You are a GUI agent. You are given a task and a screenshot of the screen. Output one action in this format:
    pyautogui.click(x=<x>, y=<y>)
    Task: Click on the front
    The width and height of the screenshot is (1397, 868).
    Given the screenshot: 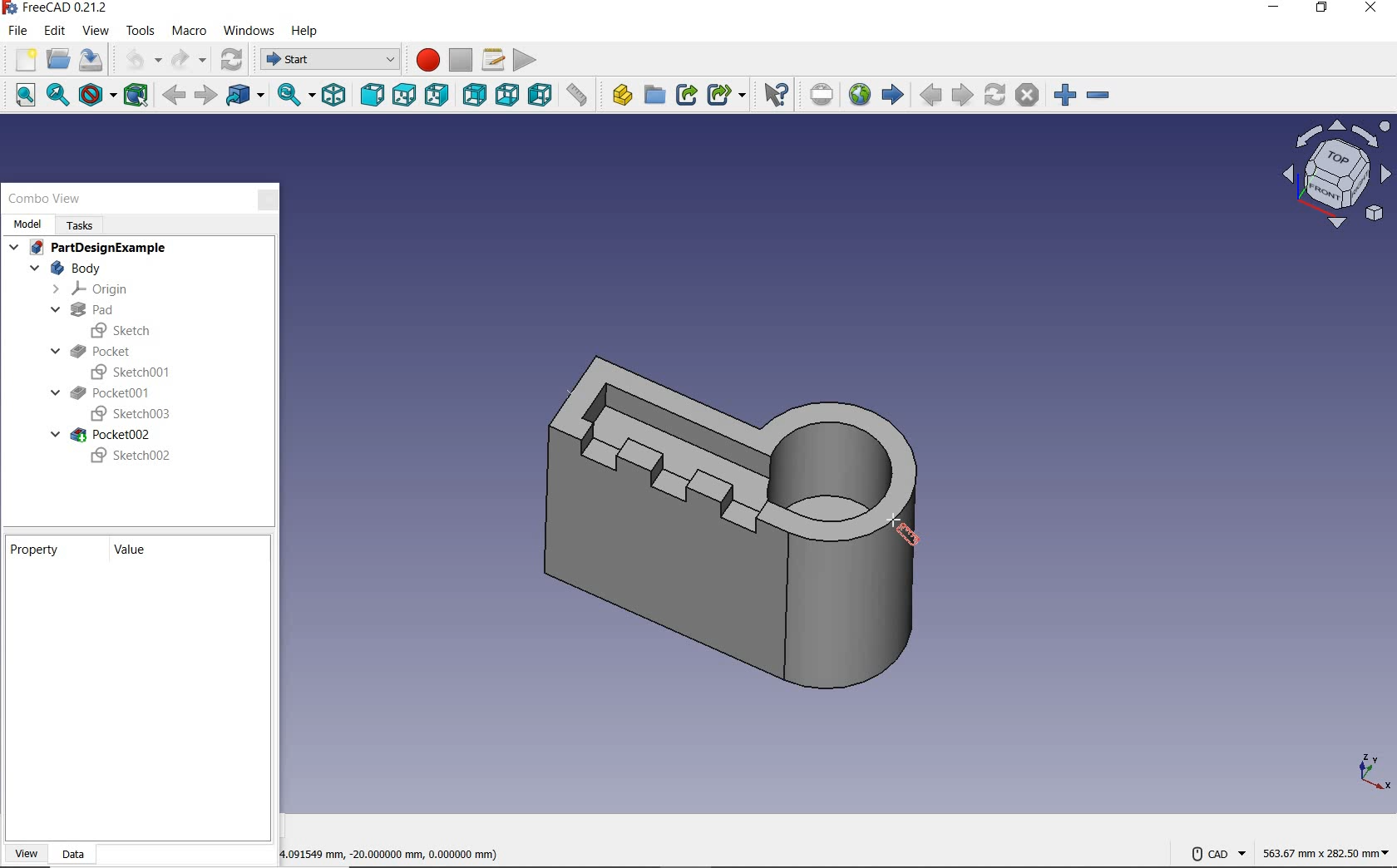 What is the action you would take?
    pyautogui.click(x=372, y=96)
    